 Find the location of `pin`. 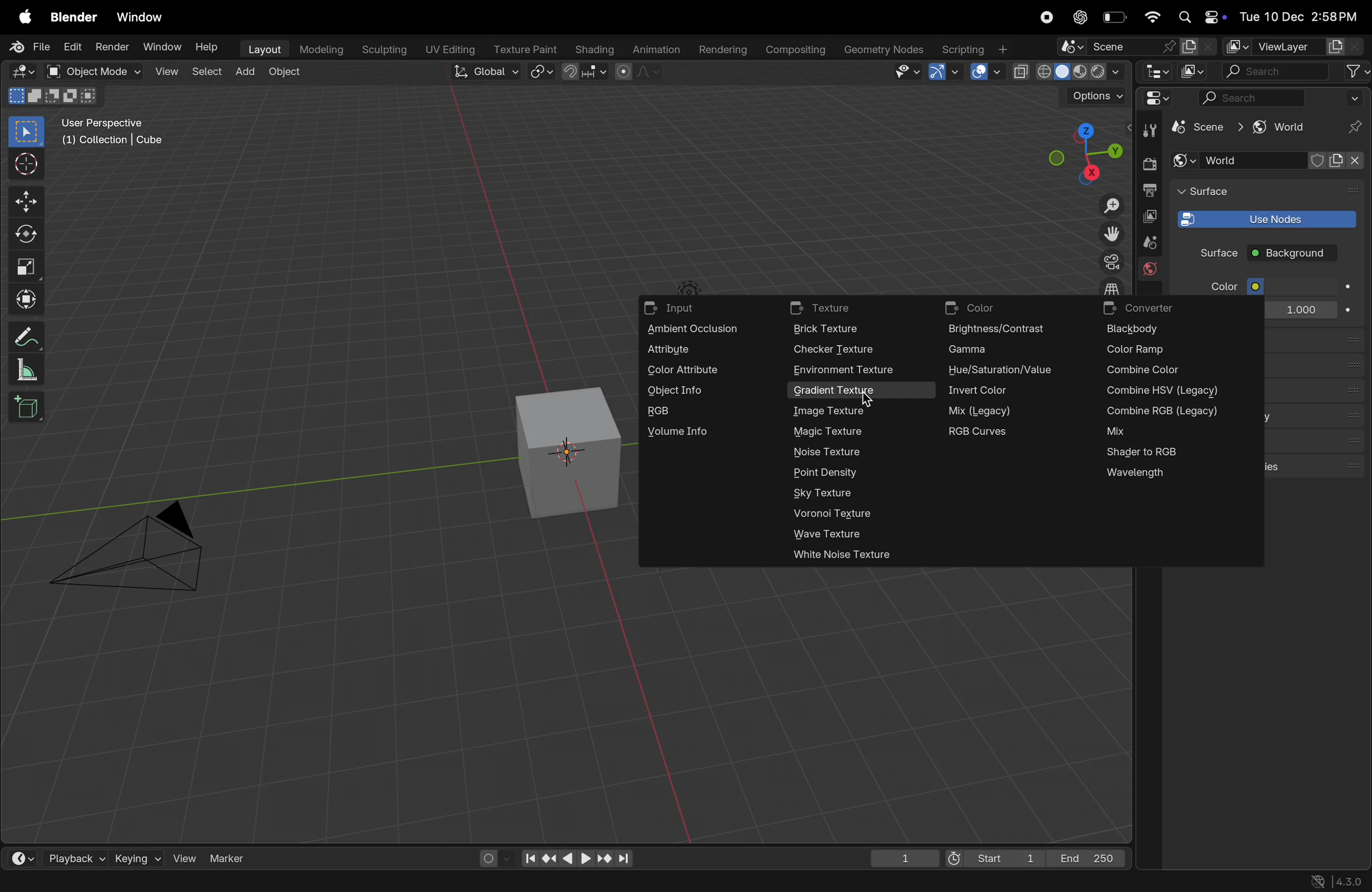

pin is located at coordinates (1351, 128).